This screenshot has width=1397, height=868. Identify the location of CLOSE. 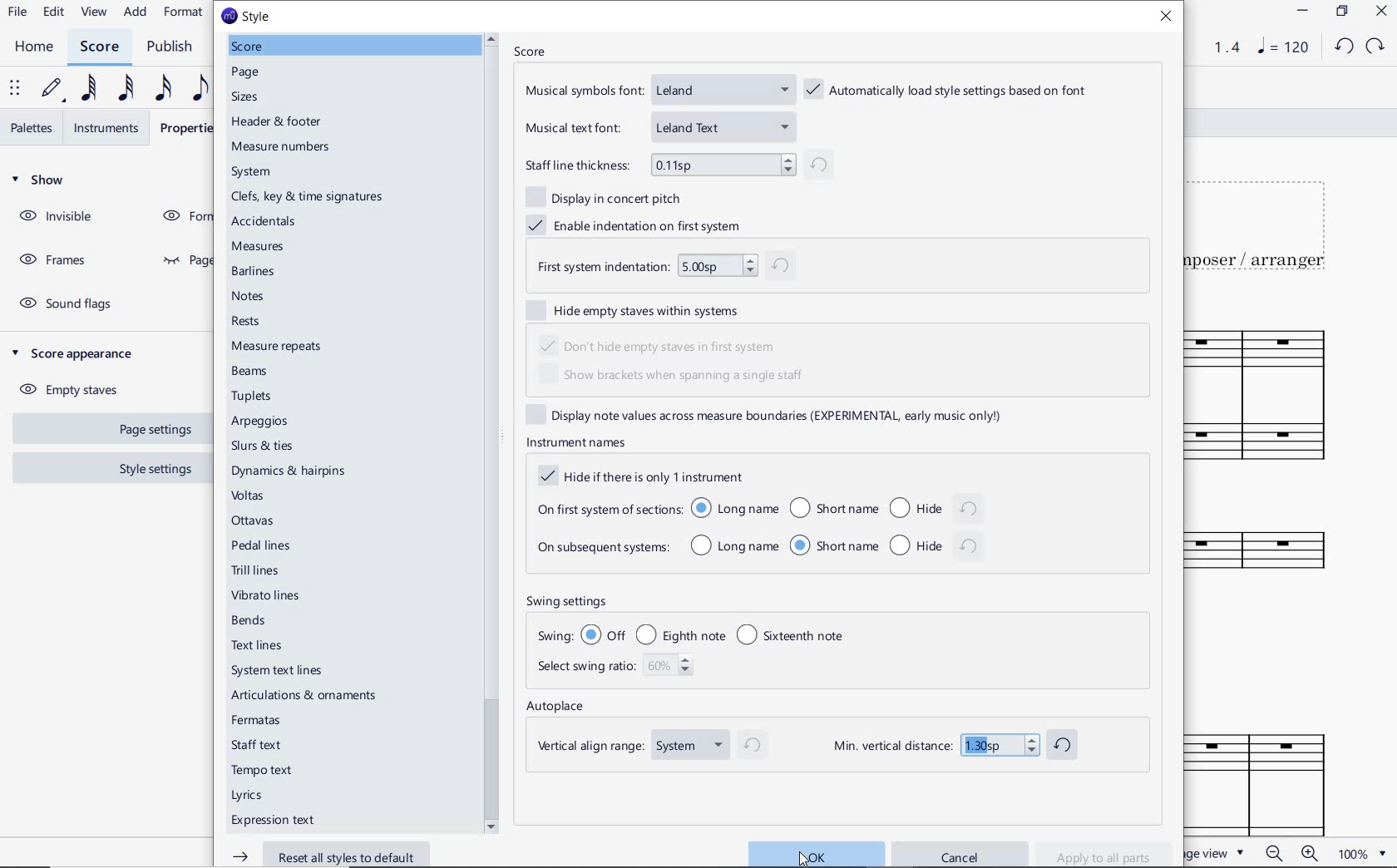
(1167, 18).